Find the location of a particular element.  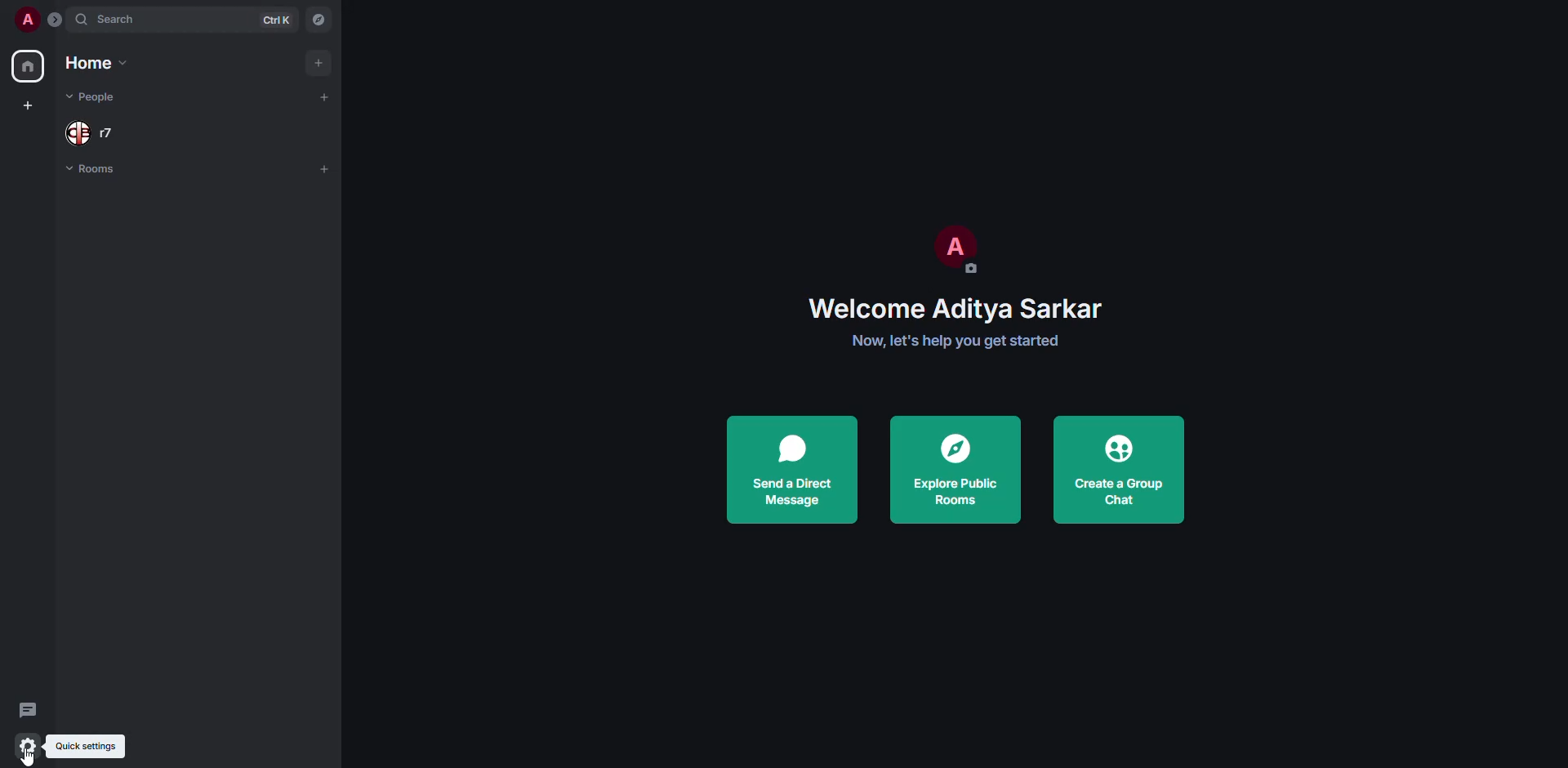

home is located at coordinates (29, 65).